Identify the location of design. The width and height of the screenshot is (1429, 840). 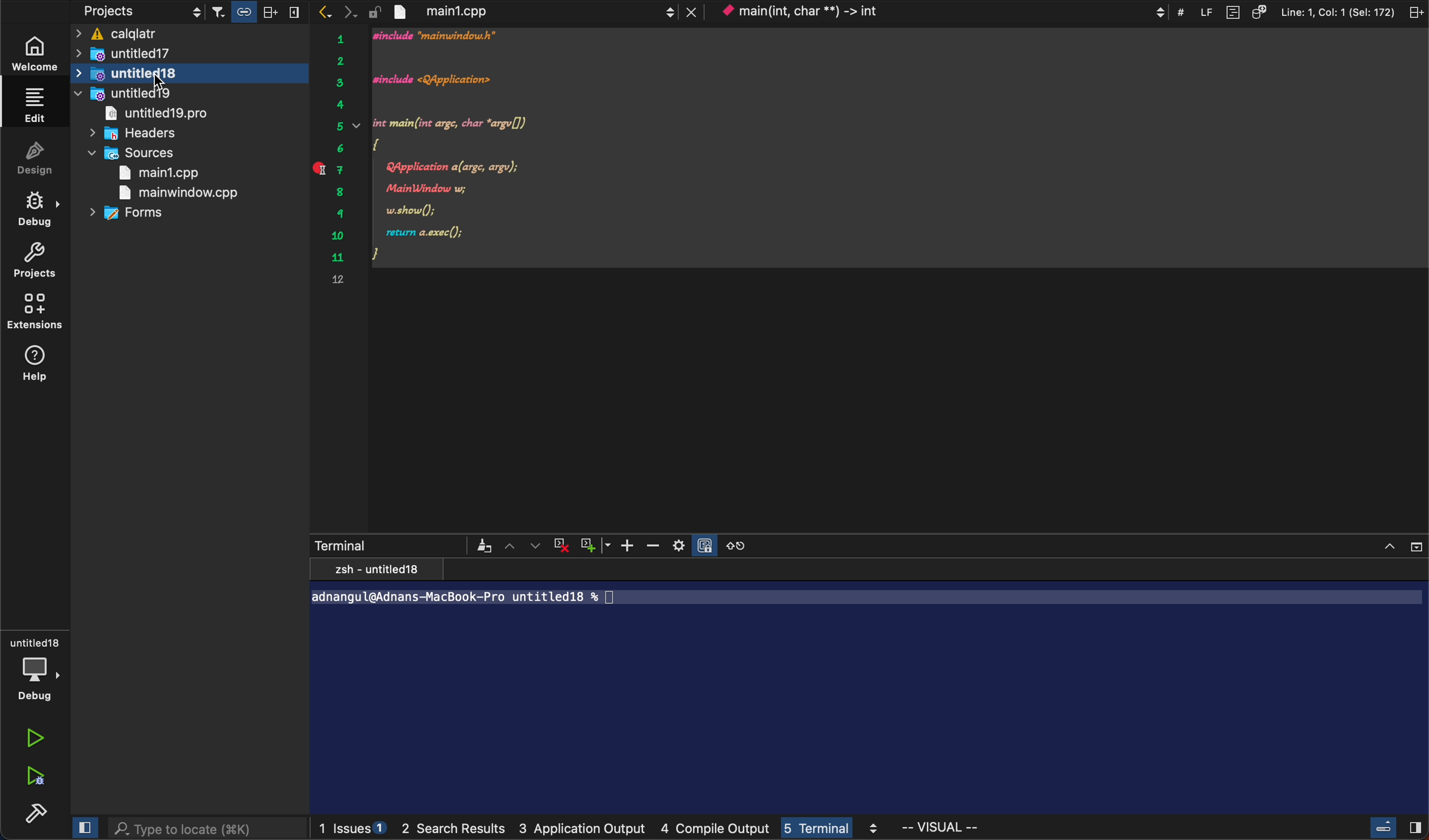
(34, 158).